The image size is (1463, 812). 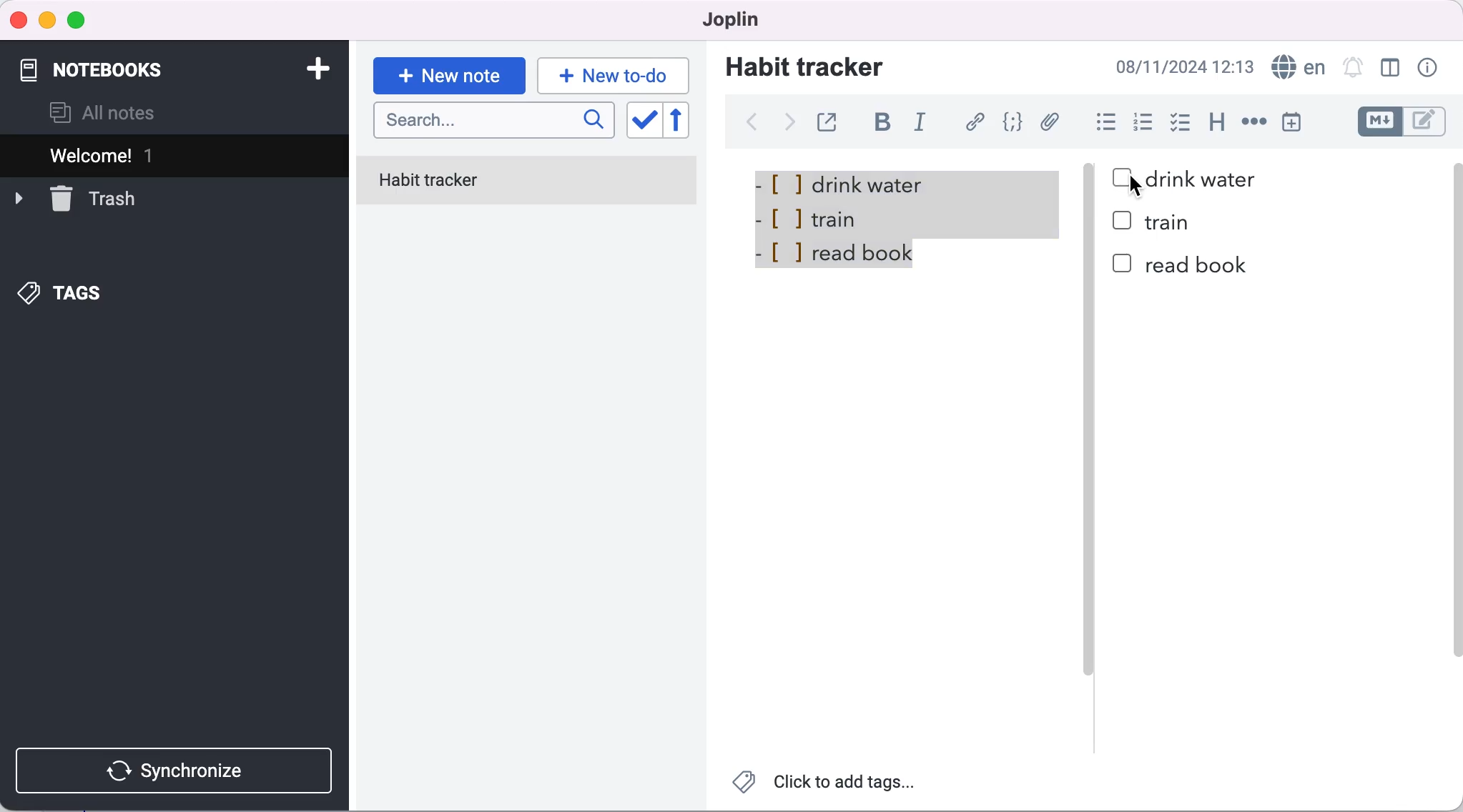 I want to click on vertical slider, so click(x=1088, y=450).